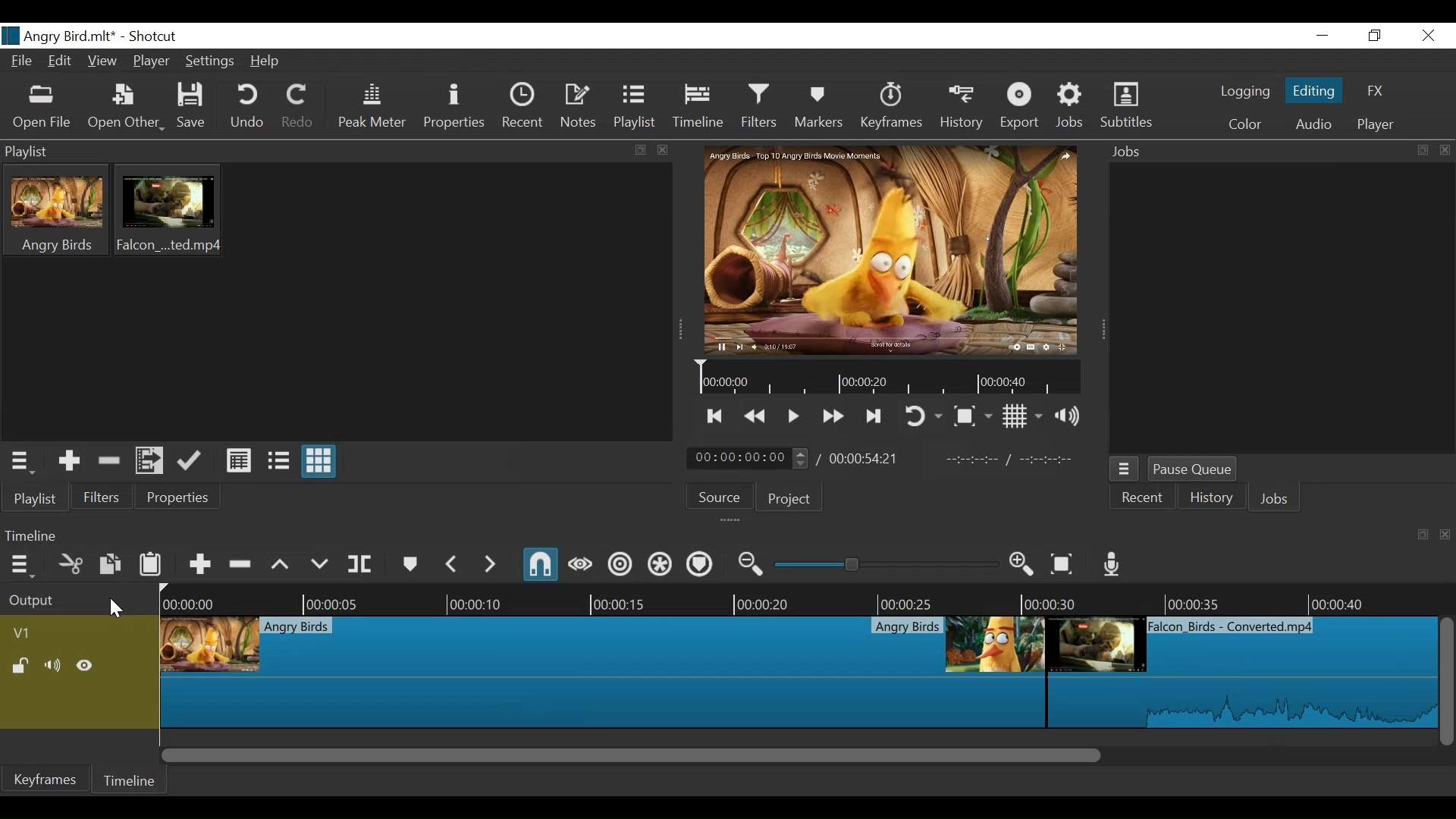 The height and width of the screenshot is (819, 1456). Describe the element at coordinates (750, 564) in the screenshot. I see `Zoom timeline out` at that location.